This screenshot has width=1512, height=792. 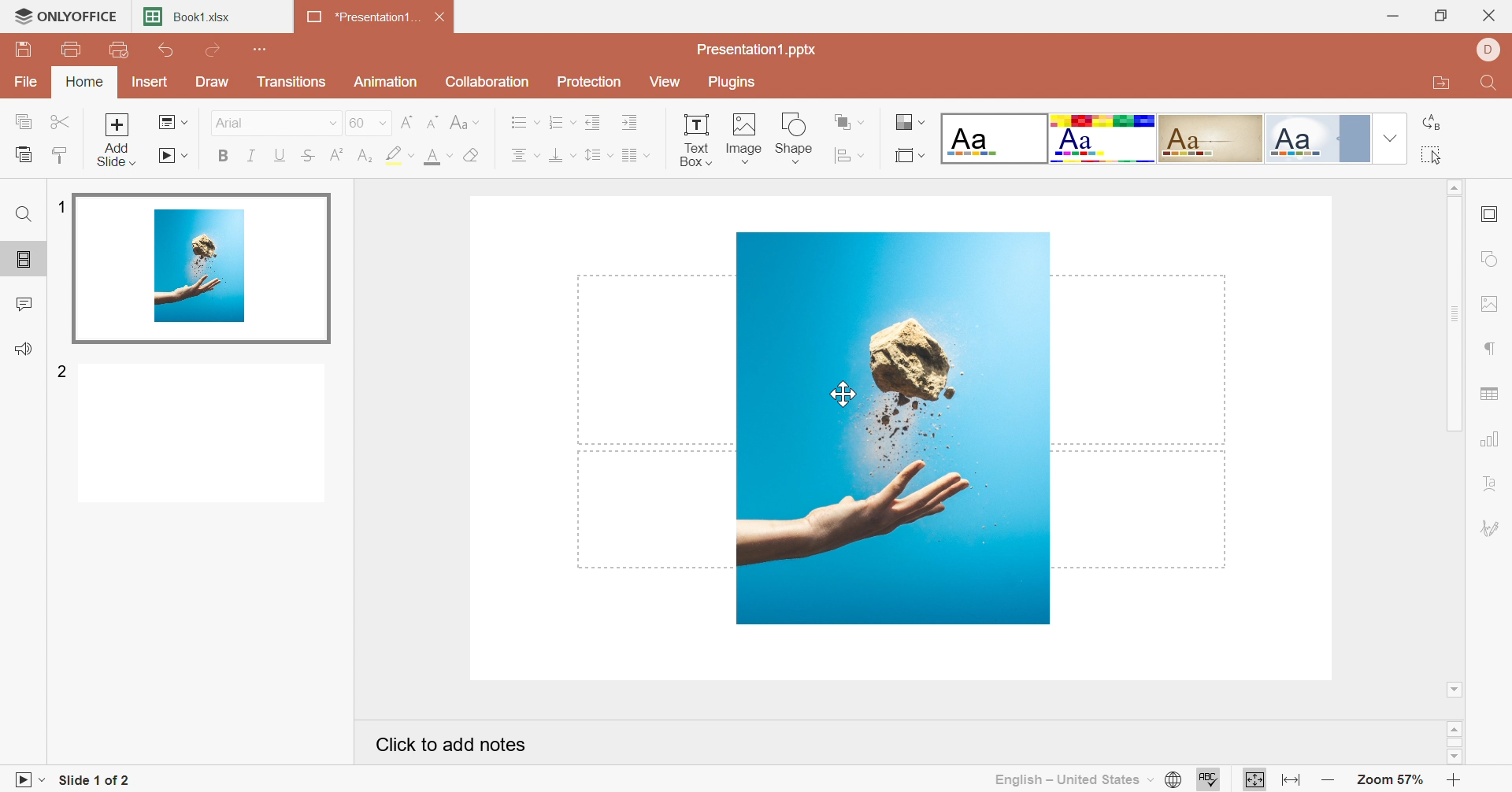 I want to click on table settings, so click(x=1492, y=394).